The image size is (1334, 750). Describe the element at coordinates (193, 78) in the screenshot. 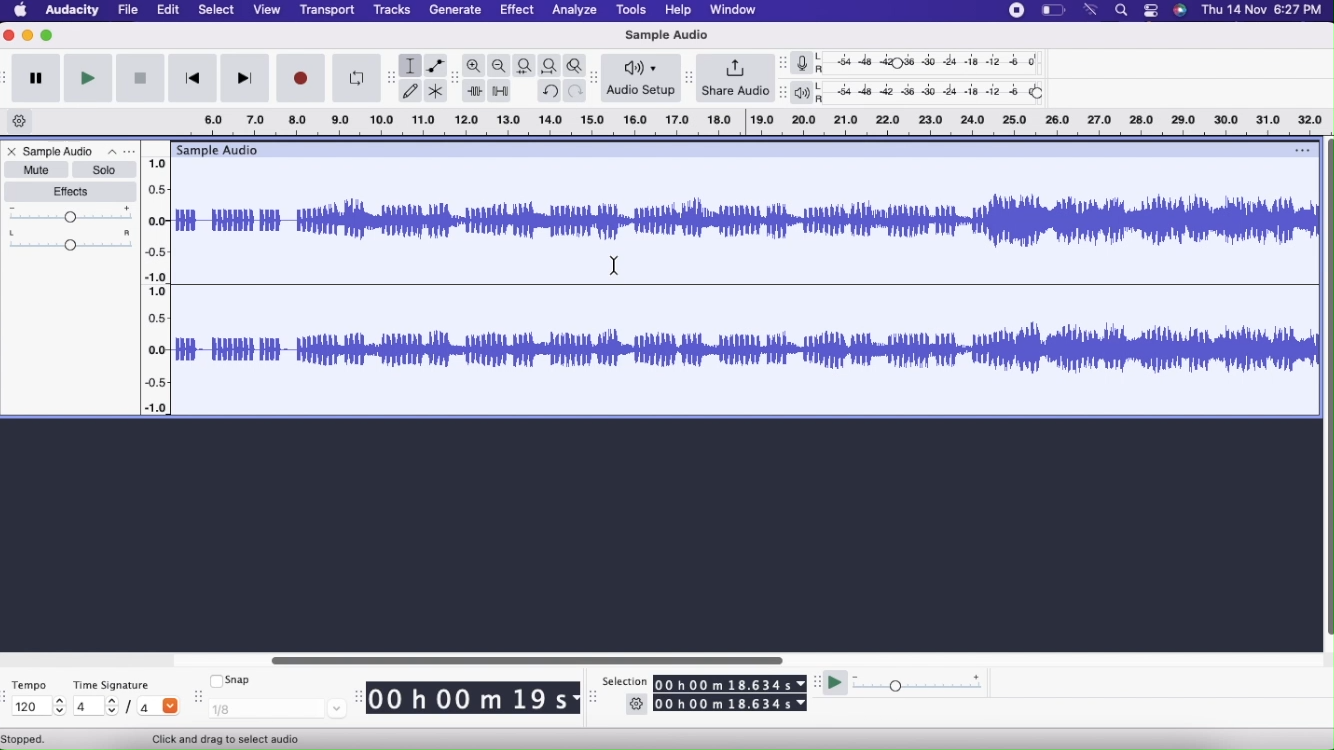

I see `Skip to start` at that location.